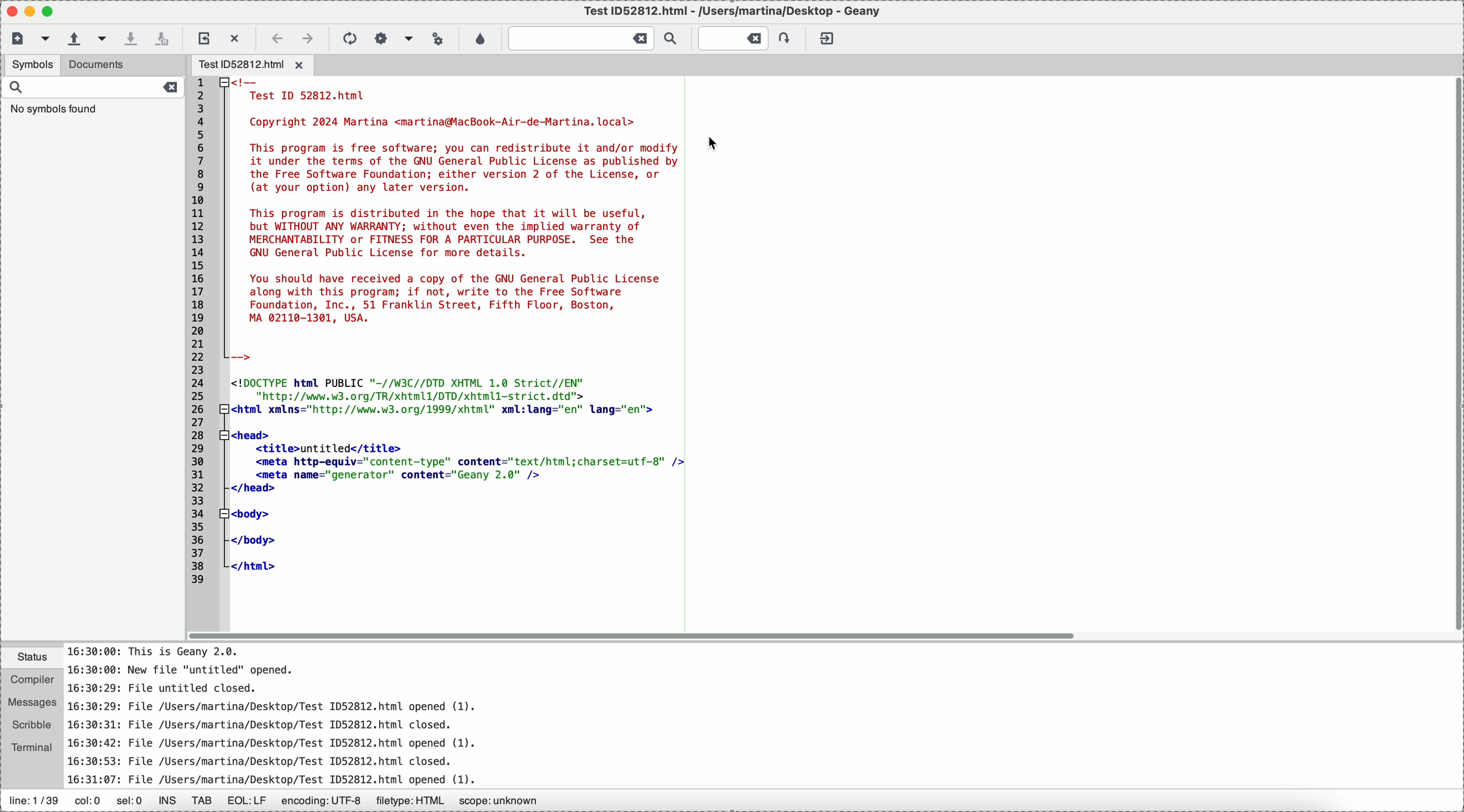 Image resolution: width=1464 pixels, height=812 pixels. Describe the element at coordinates (826, 37) in the screenshot. I see `quit Geany` at that location.